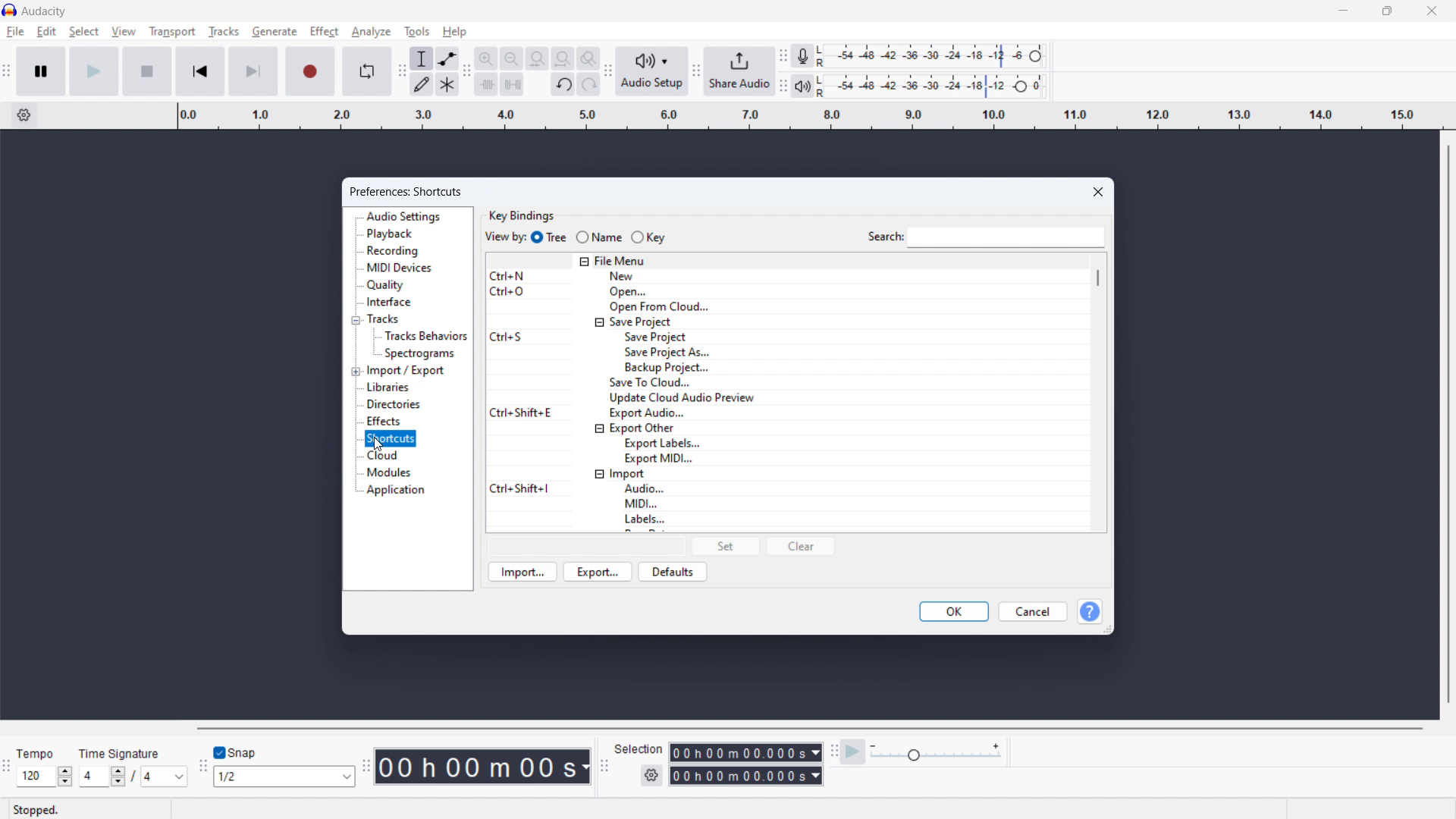 The width and height of the screenshot is (1456, 819). What do you see at coordinates (885, 236) in the screenshot?
I see `Indicates search bar` at bounding box center [885, 236].